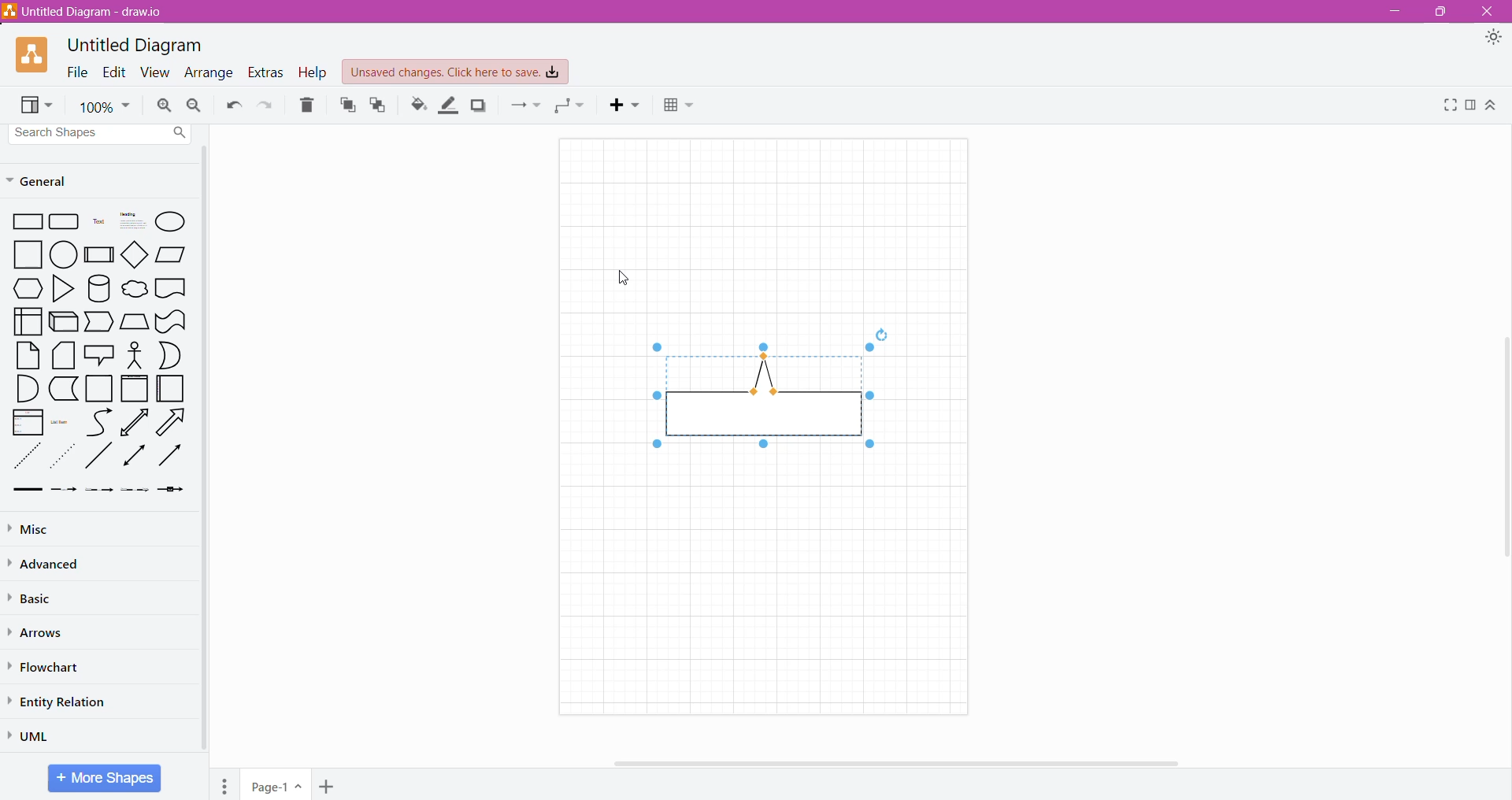 This screenshot has width=1512, height=800. I want to click on diagonal line, so click(100, 457).